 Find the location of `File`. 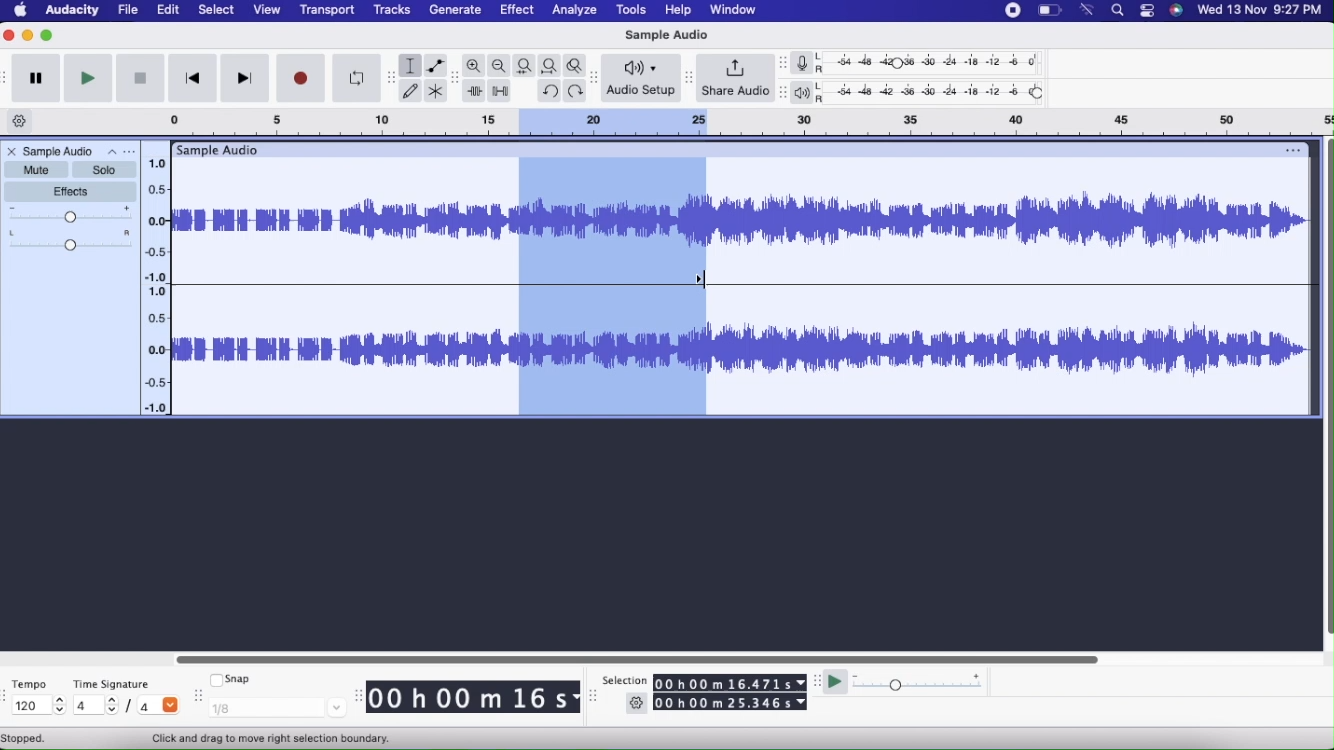

File is located at coordinates (130, 10).